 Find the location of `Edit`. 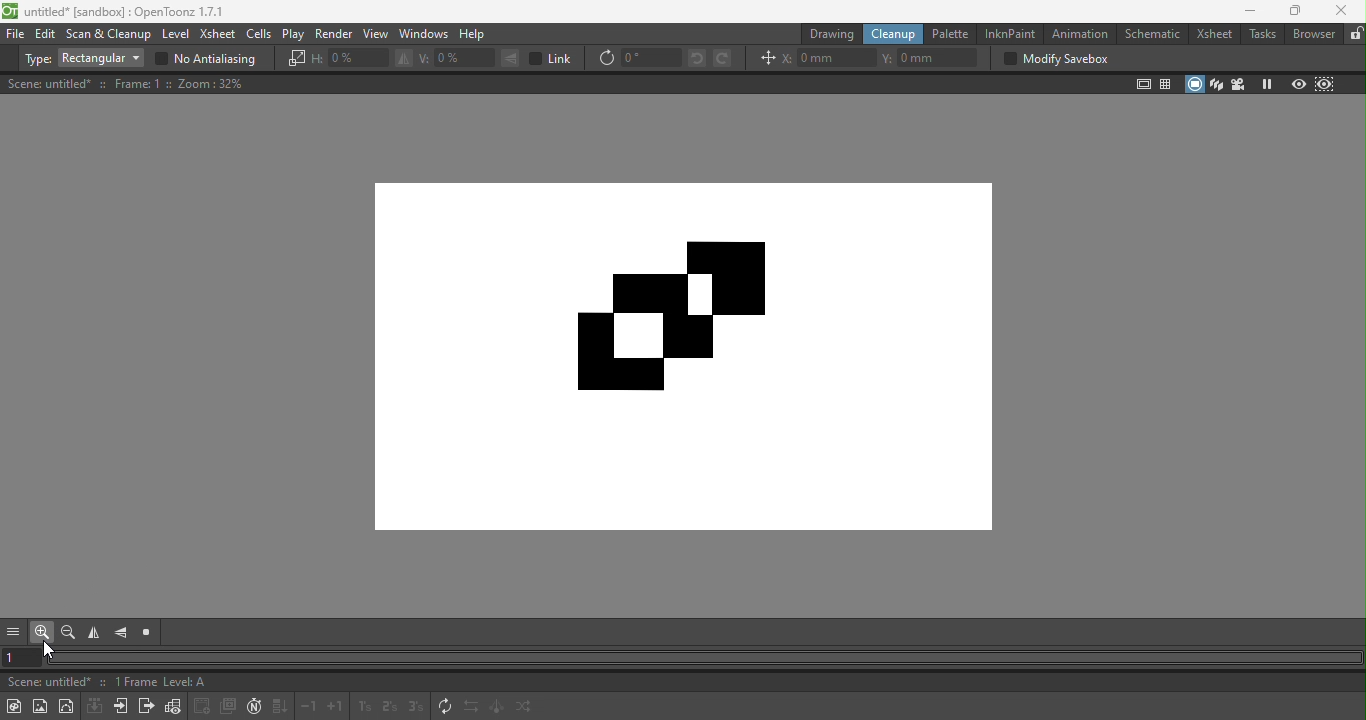

Edit is located at coordinates (47, 35).